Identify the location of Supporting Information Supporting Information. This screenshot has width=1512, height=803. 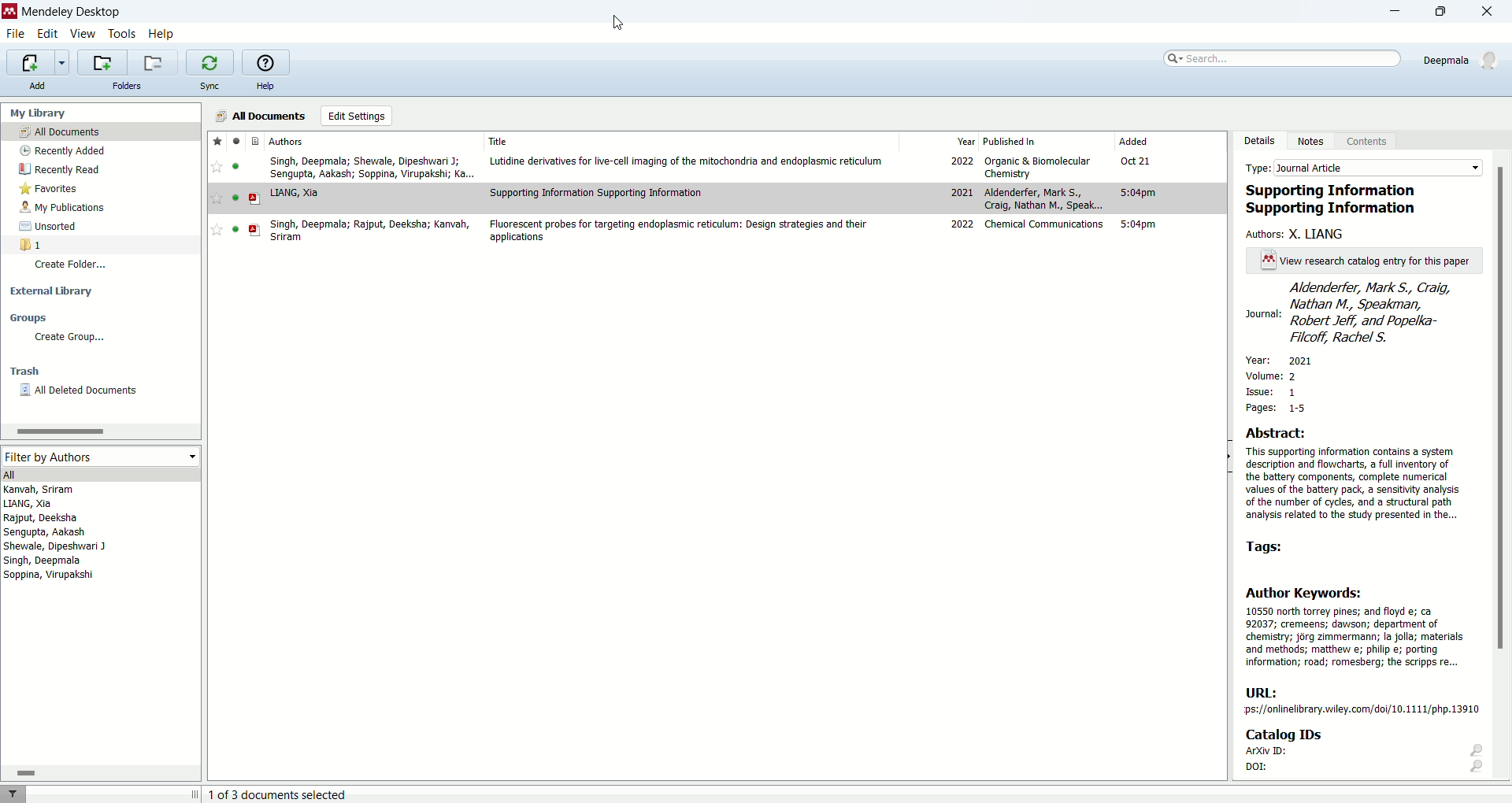
(597, 192).